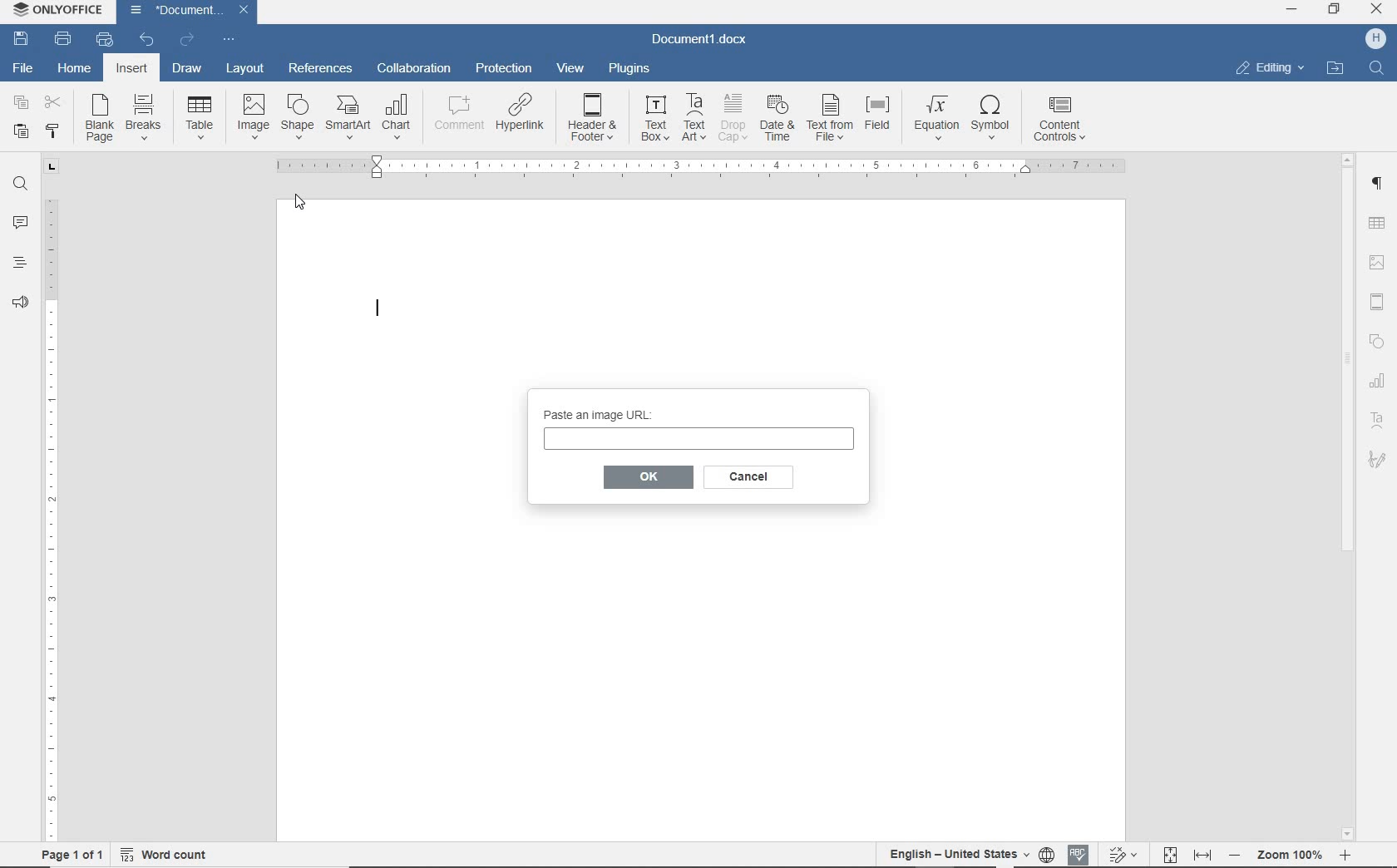 The width and height of the screenshot is (1397, 868). I want to click on symbol, so click(993, 117).